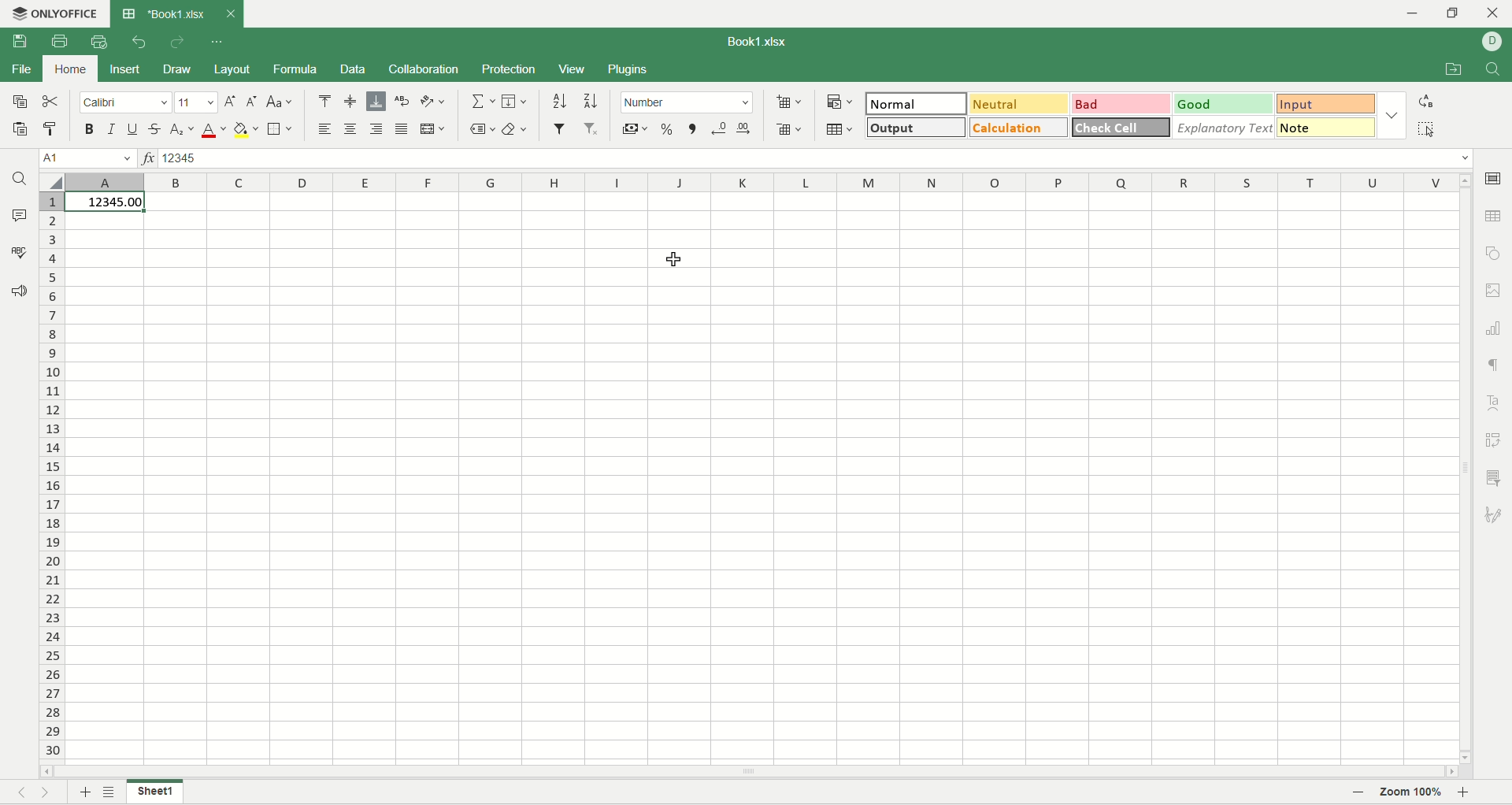 This screenshot has width=1512, height=805. What do you see at coordinates (20, 101) in the screenshot?
I see `copy` at bounding box center [20, 101].